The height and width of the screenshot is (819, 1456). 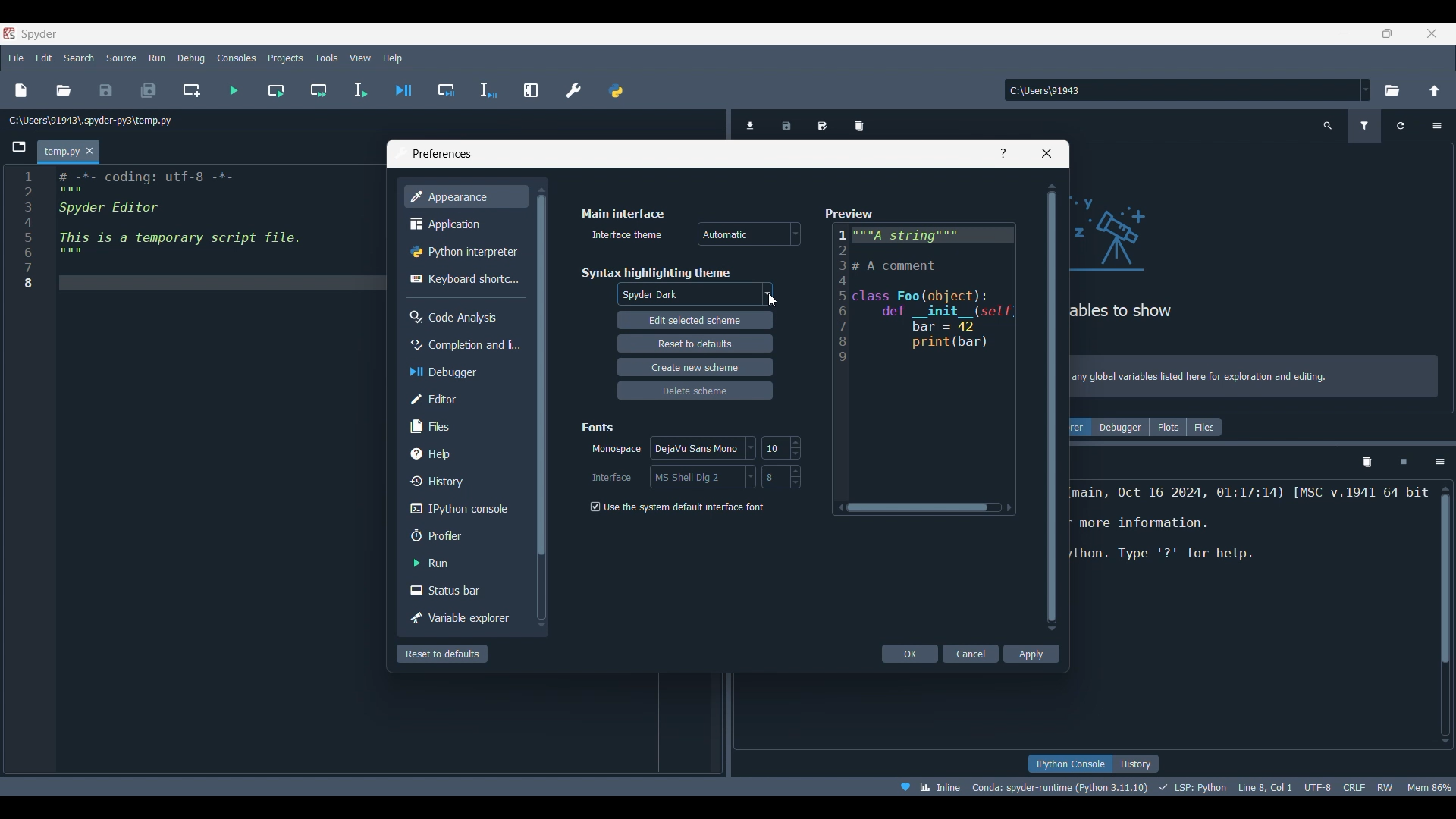 What do you see at coordinates (1120, 427) in the screenshot?
I see `Debugger` at bounding box center [1120, 427].